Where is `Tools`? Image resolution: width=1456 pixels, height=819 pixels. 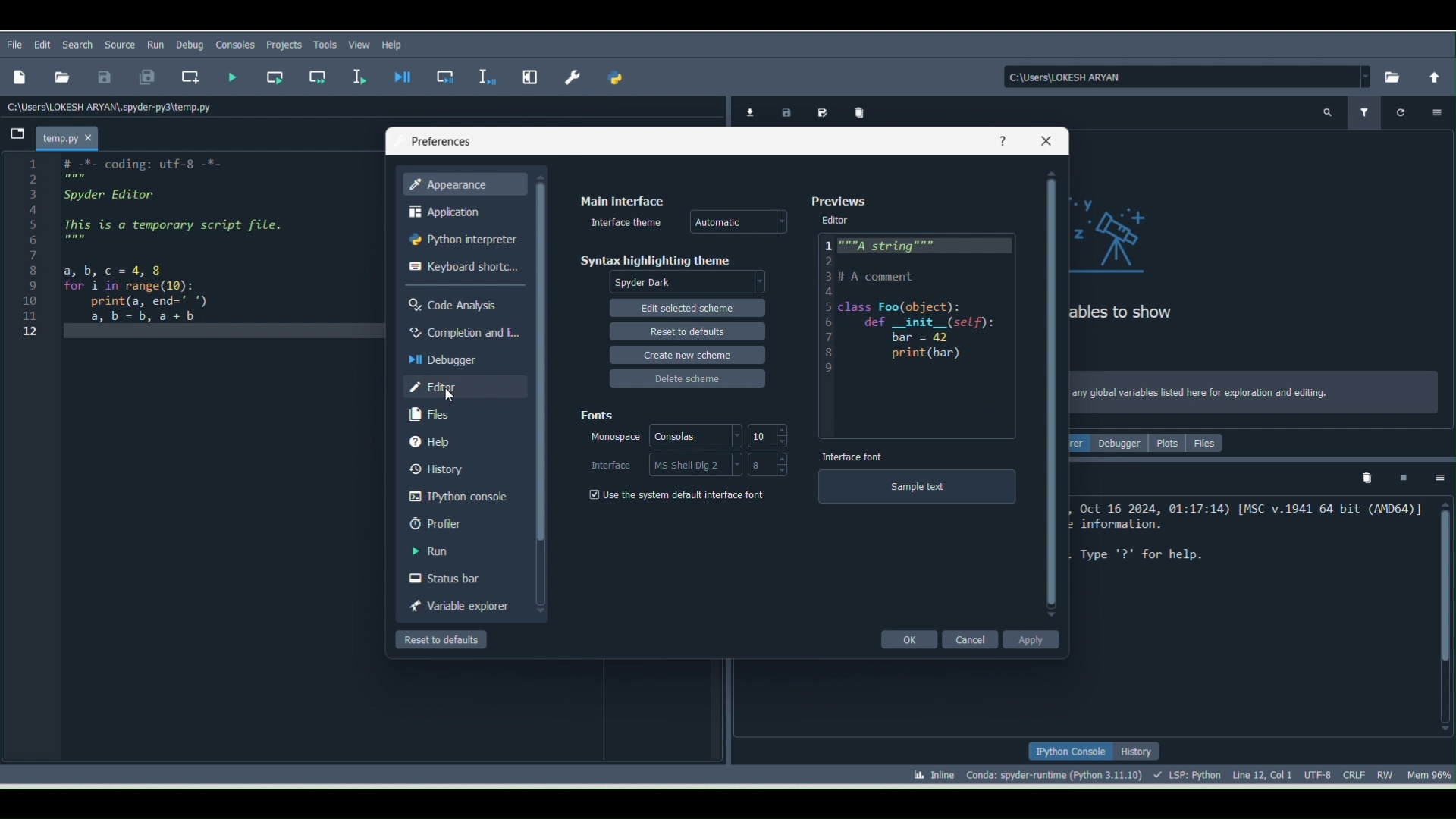
Tools is located at coordinates (328, 45).